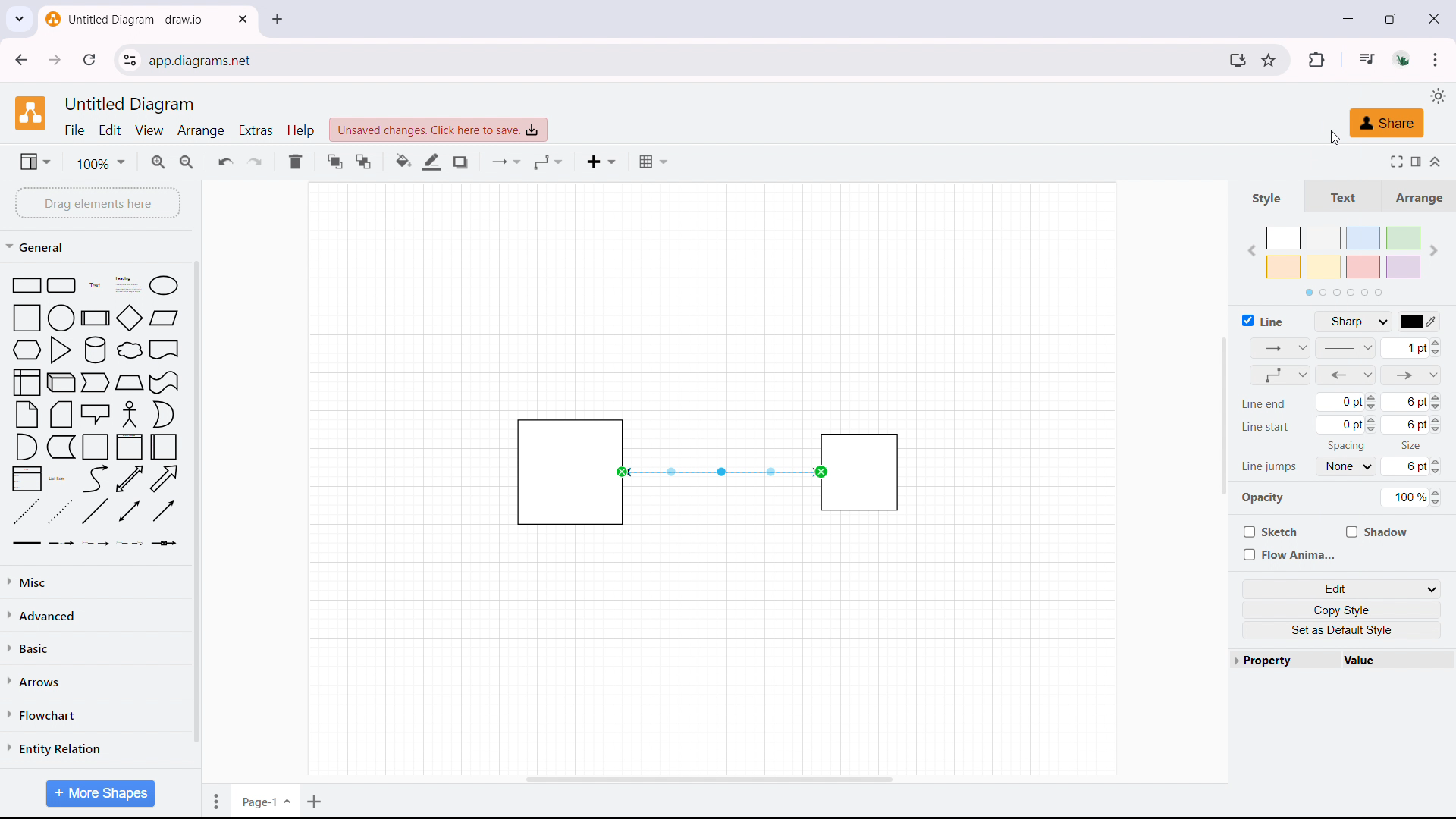 This screenshot has width=1456, height=819. I want to click on connector changed, so click(720, 472).